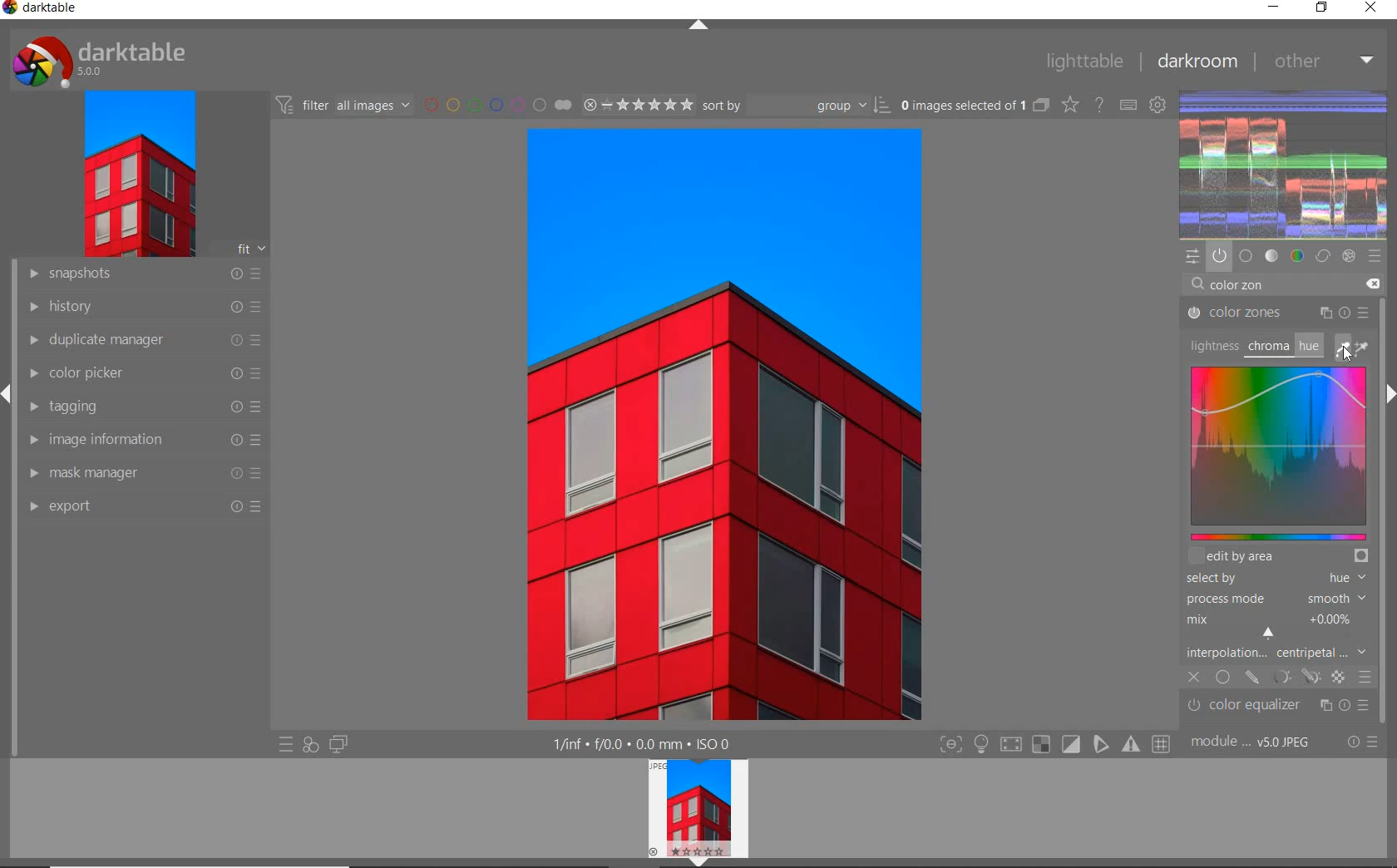 Image resolution: width=1397 pixels, height=868 pixels. Describe the element at coordinates (1193, 257) in the screenshot. I see `quick access panel` at that location.